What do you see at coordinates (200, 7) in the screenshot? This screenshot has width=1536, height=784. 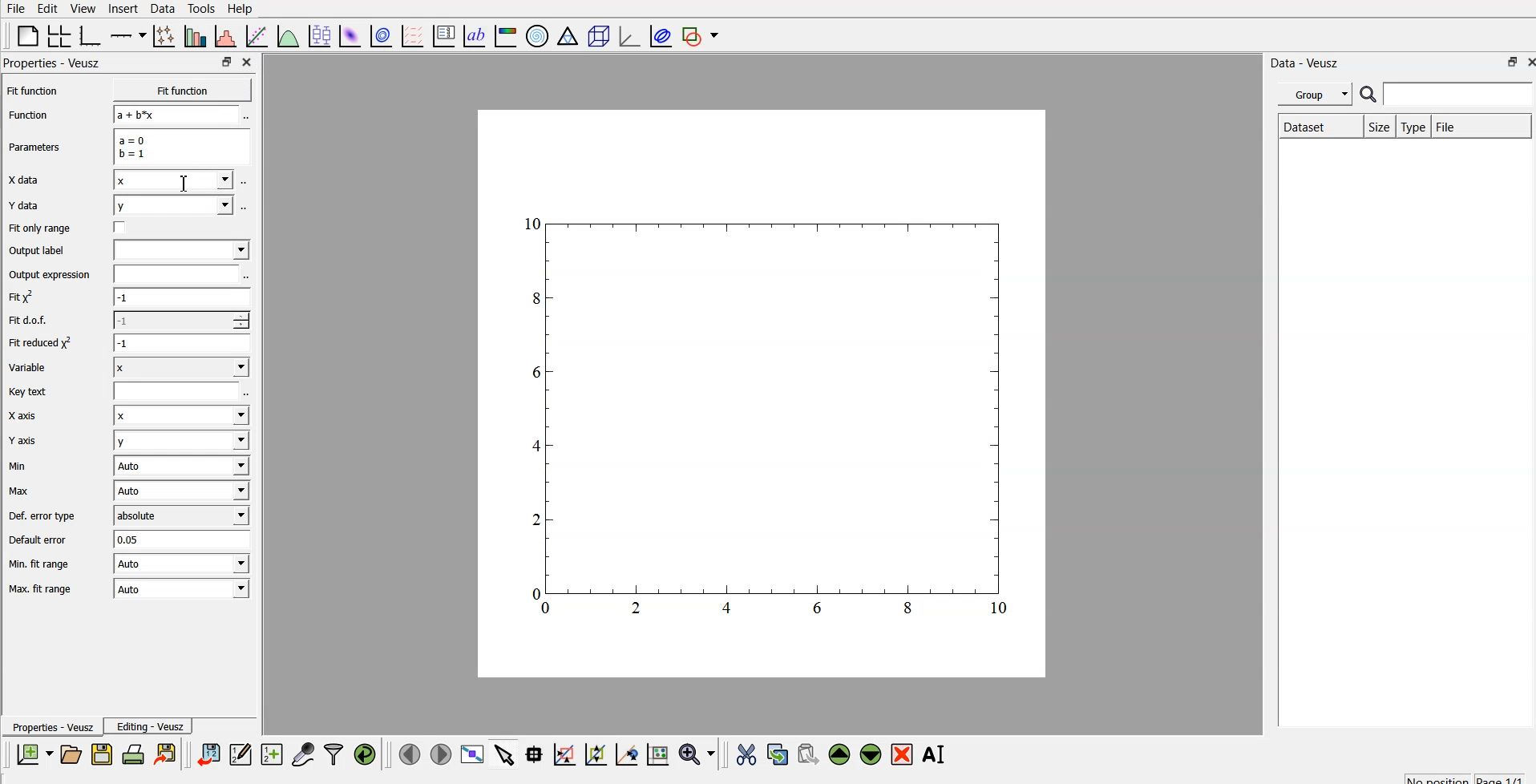 I see `tools` at bounding box center [200, 7].